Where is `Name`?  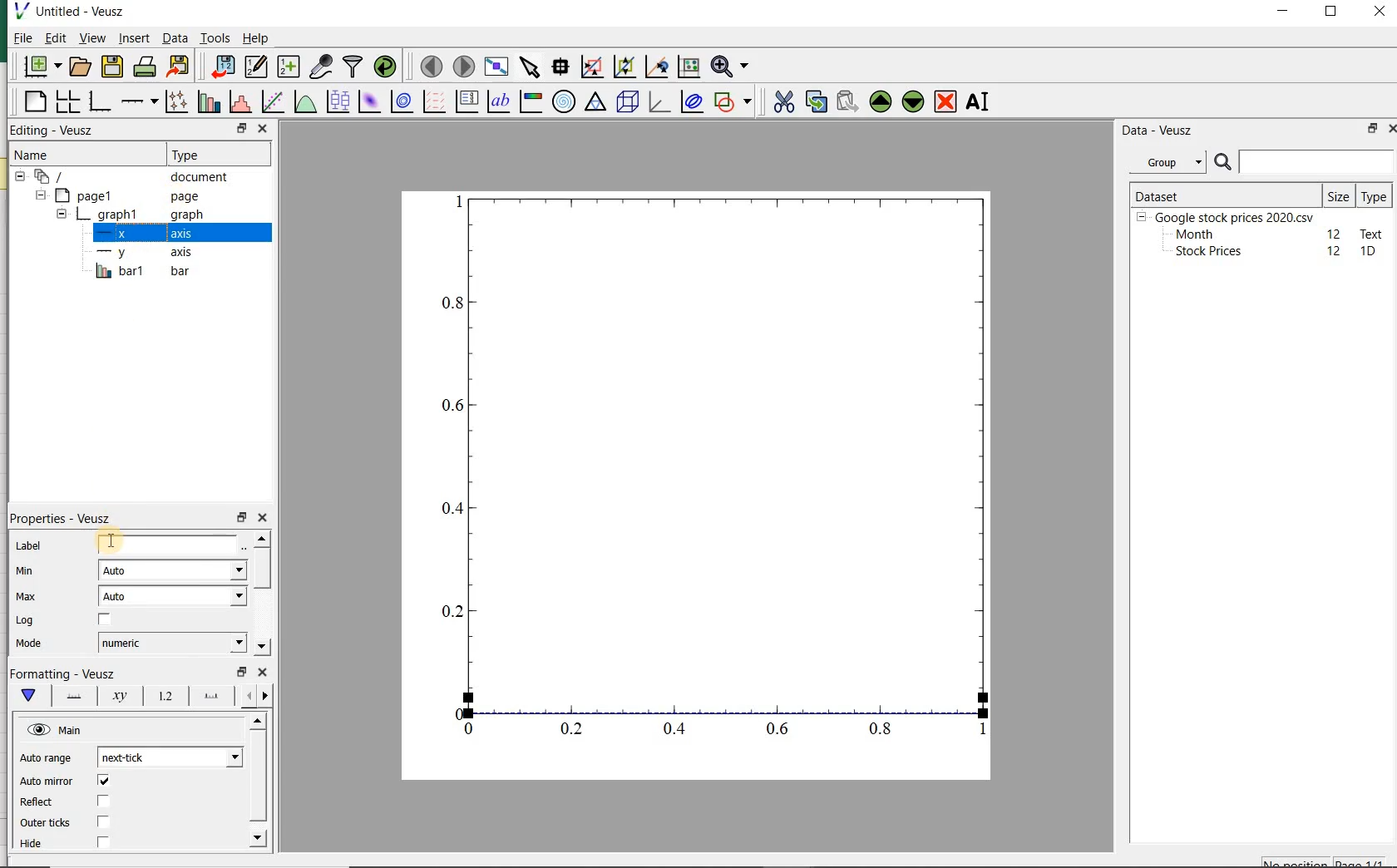
Name is located at coordinates (42, 155).